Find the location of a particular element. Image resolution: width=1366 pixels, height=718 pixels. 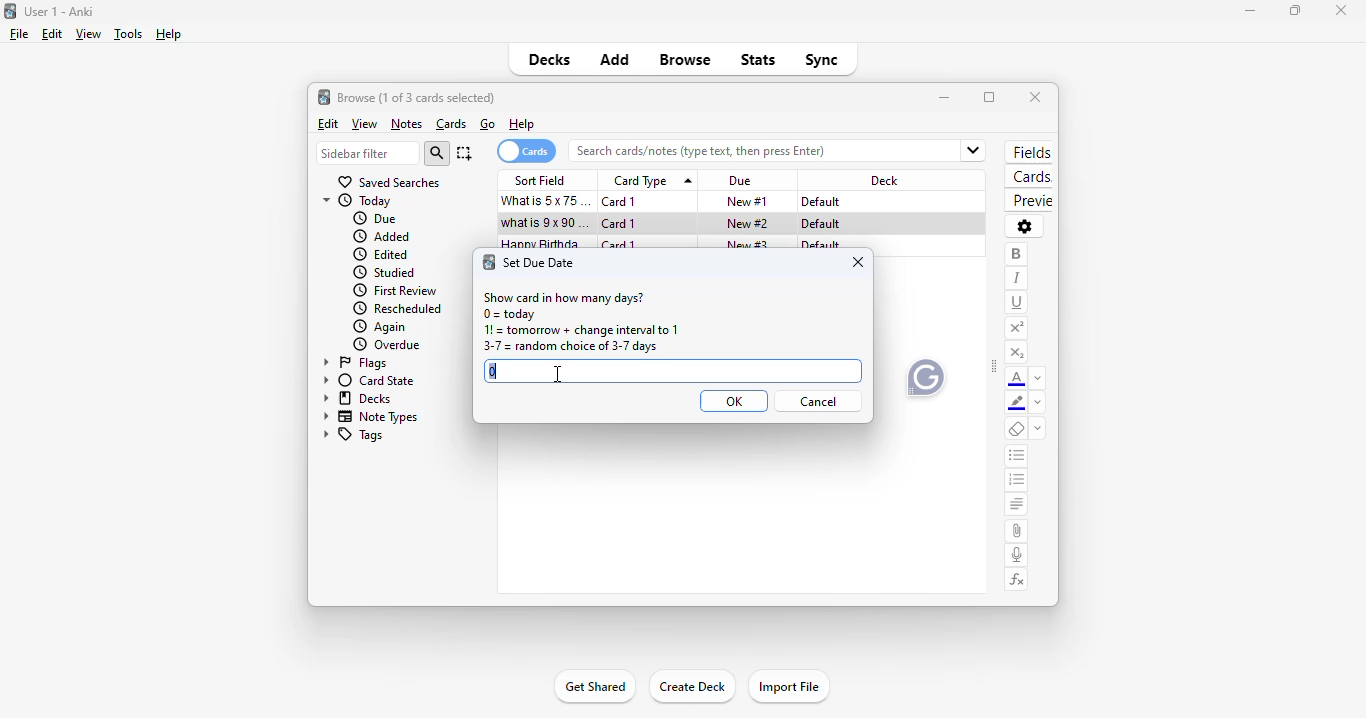

flags is located at coordinates (353, 363).